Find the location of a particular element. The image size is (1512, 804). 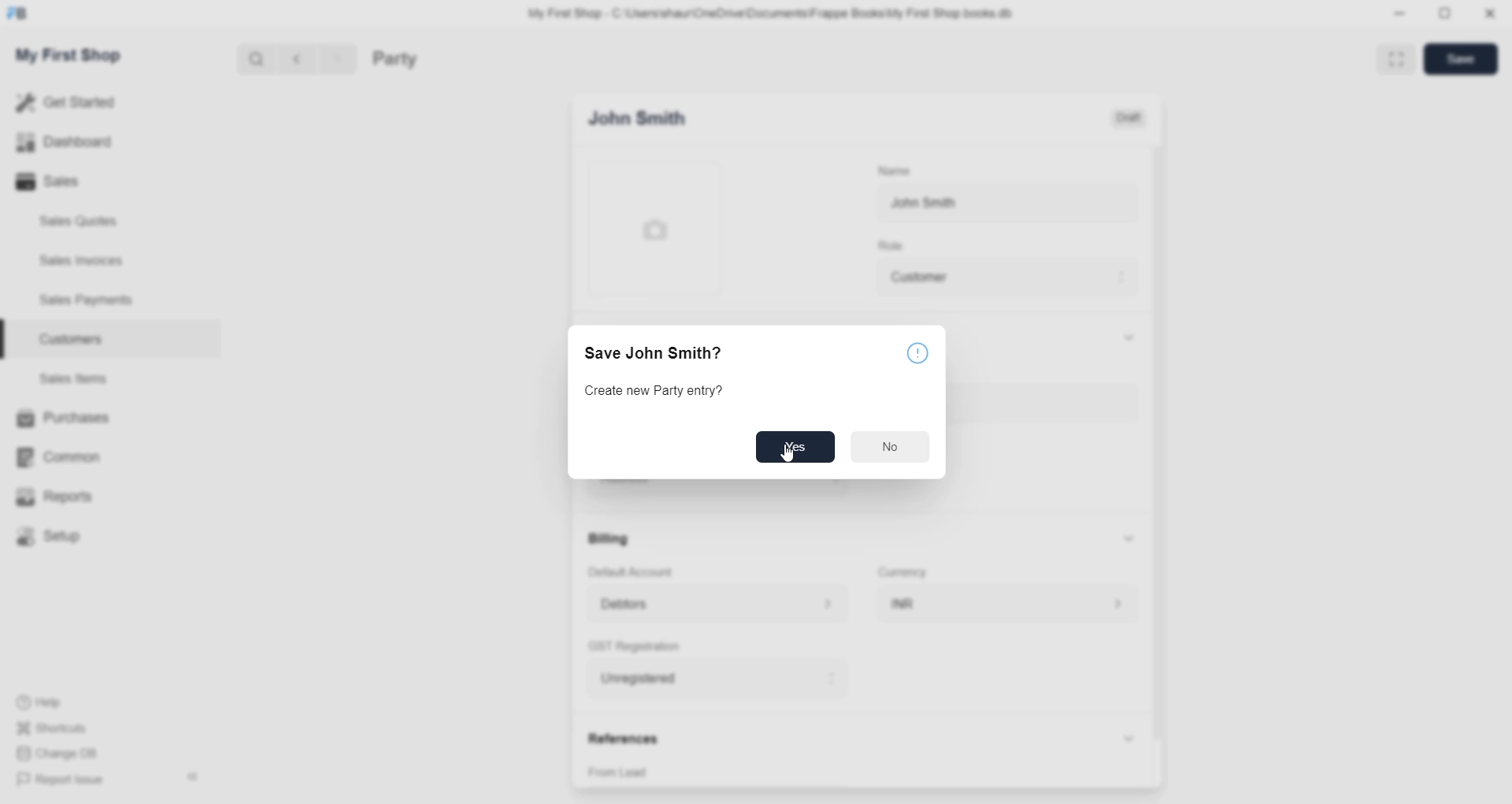

Help is located at coordinates (37, 700).